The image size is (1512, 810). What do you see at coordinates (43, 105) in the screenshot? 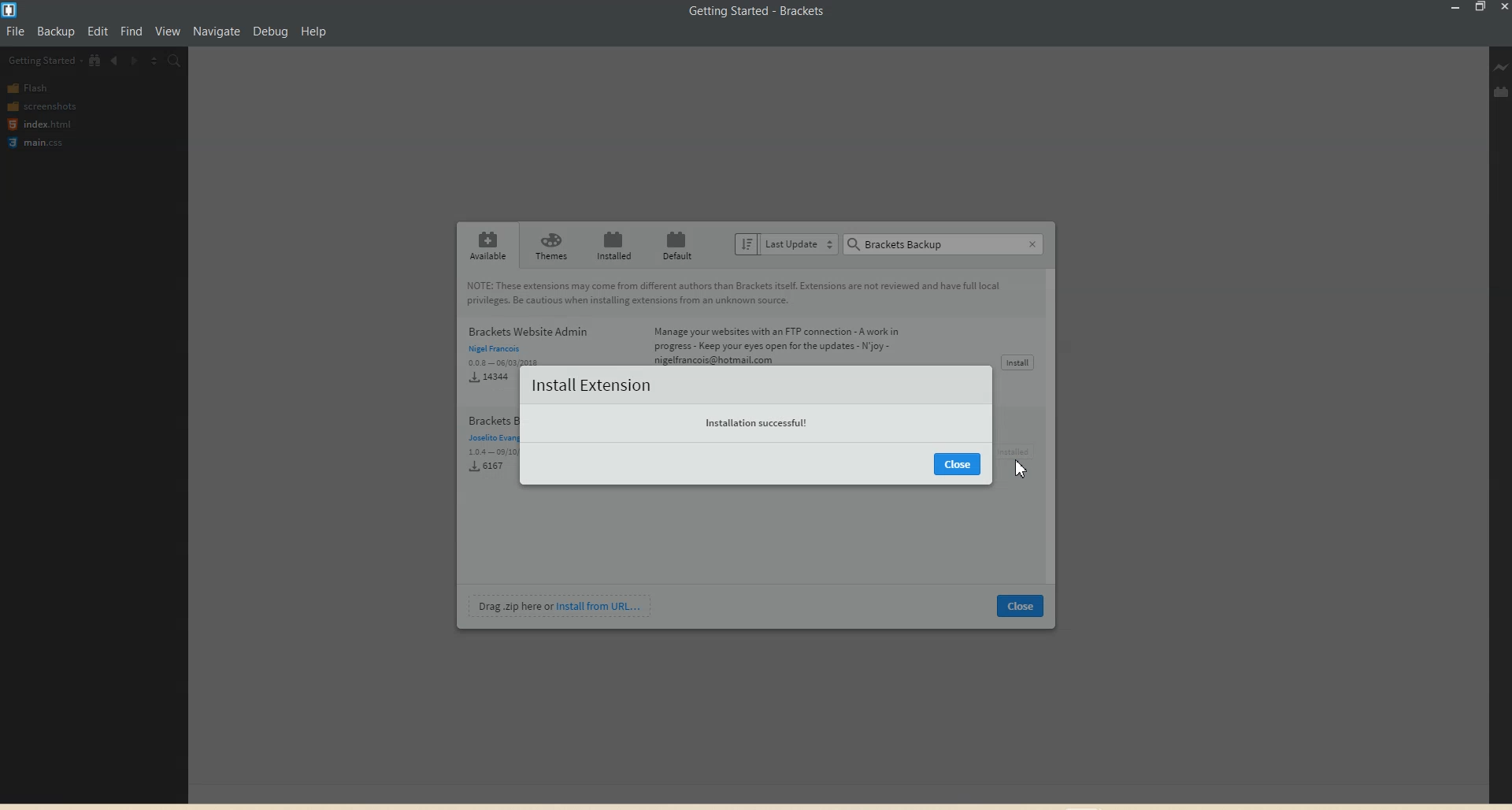
I see `screenshots` at bounding box center [43, 105].